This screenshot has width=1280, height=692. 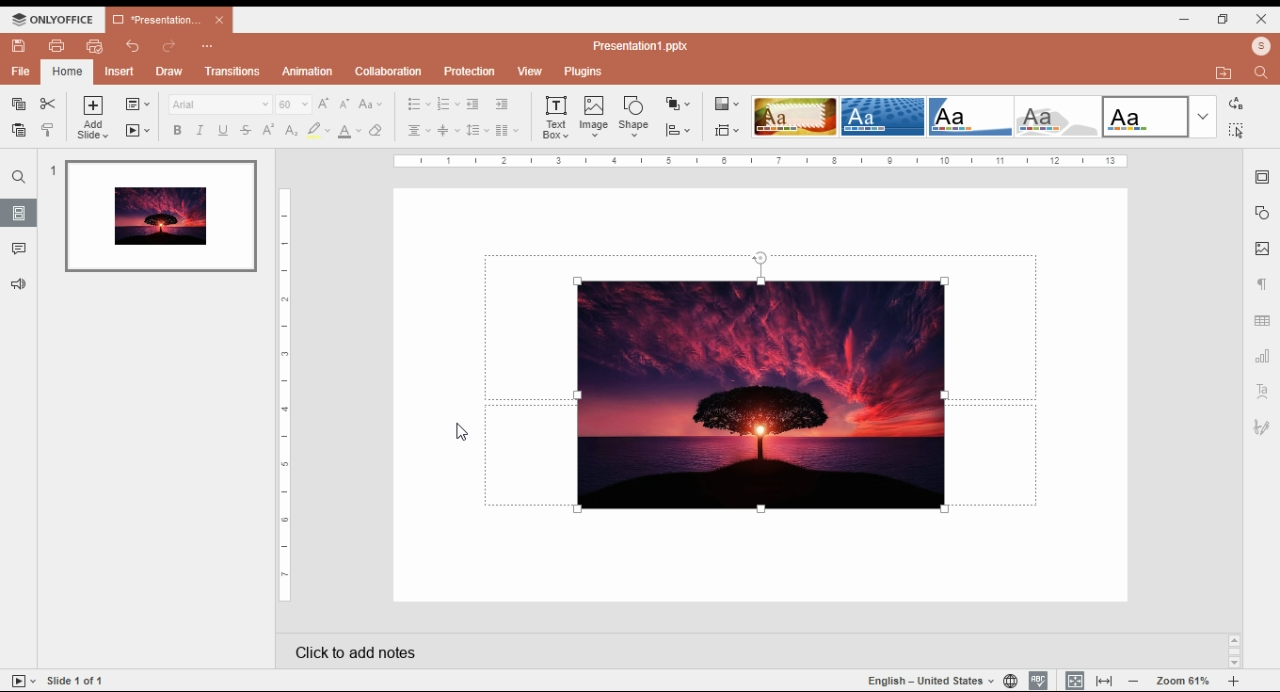 I want to click on find, so click(x=1259, y=74).